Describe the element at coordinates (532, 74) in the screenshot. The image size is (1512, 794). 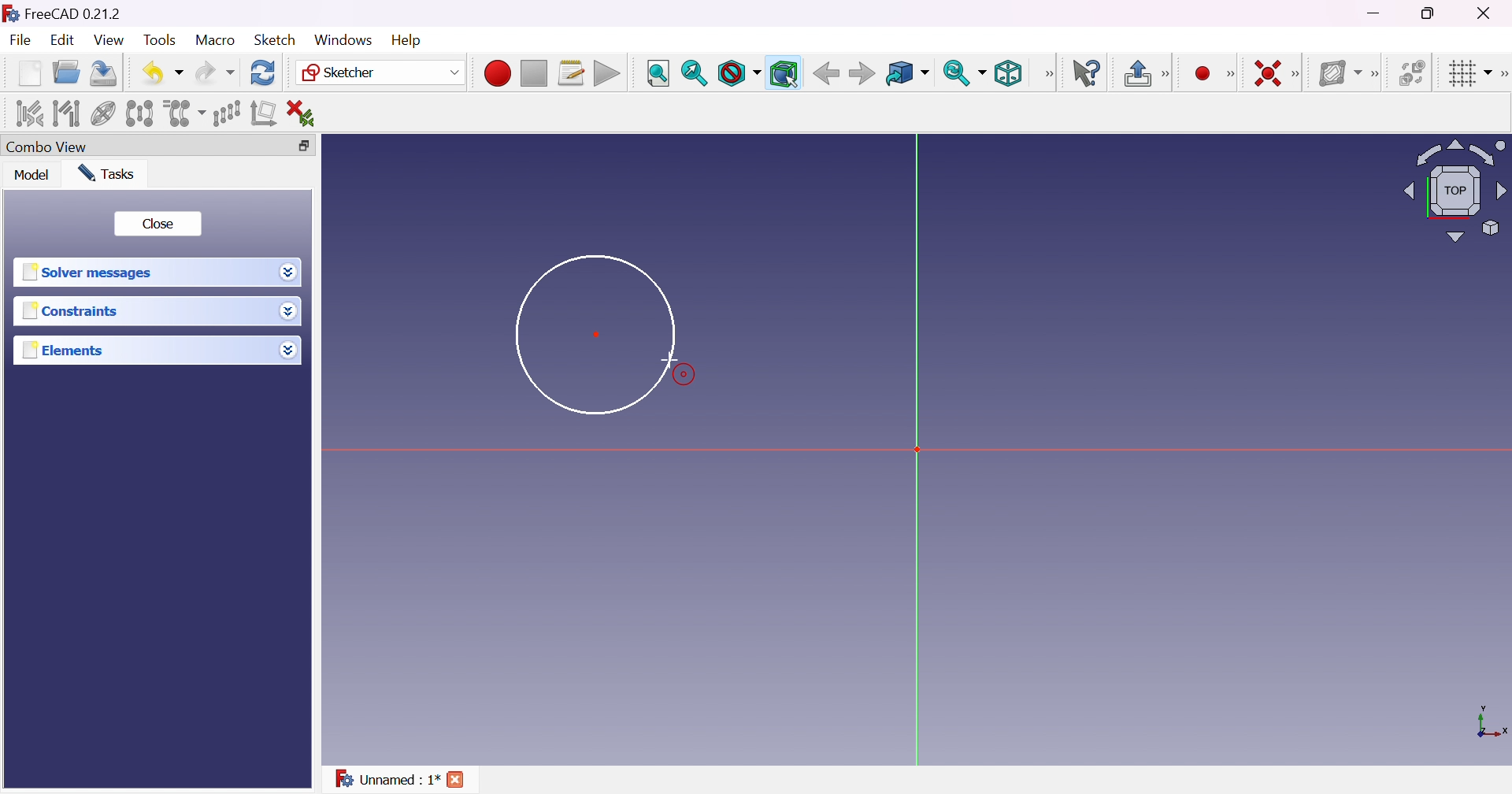
I see `Stop macro recording` at that location.